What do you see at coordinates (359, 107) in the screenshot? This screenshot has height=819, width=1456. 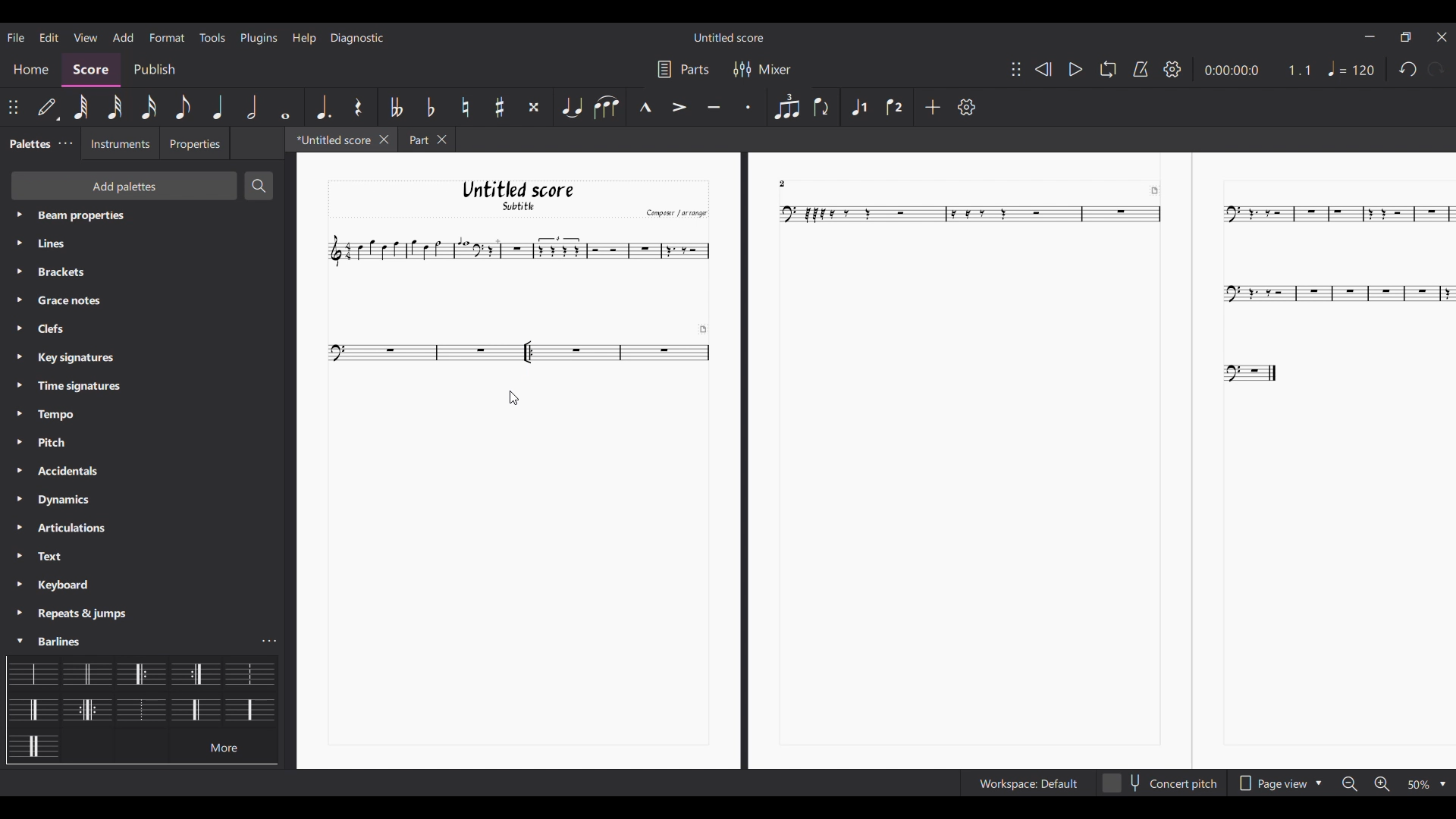 I see `Rest` at bounding box center [359, 107].